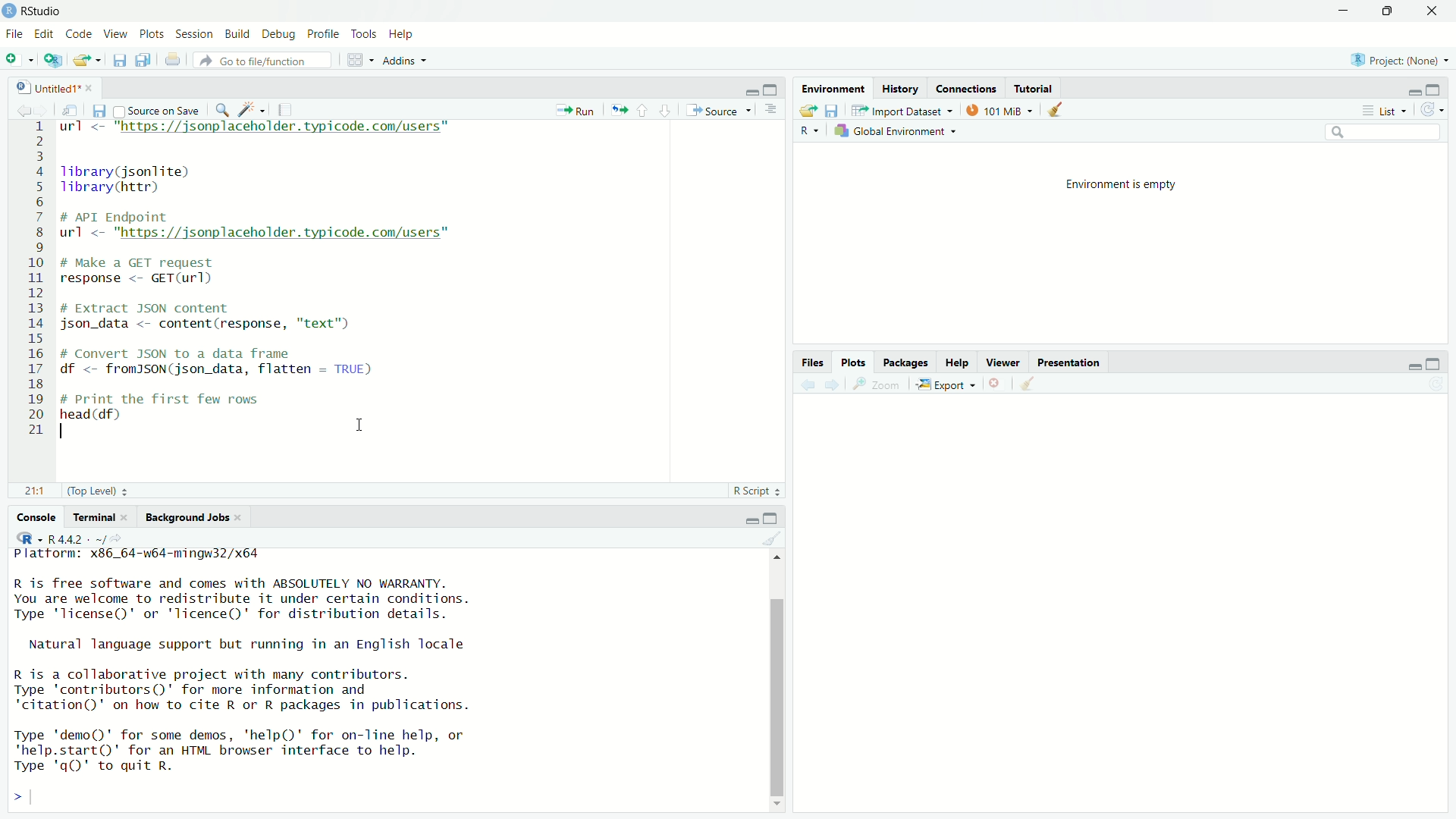  What do you see at coordinates (1412, 366) in the screenshot?
I see `Minimize` at bounding box center [1412, 366].